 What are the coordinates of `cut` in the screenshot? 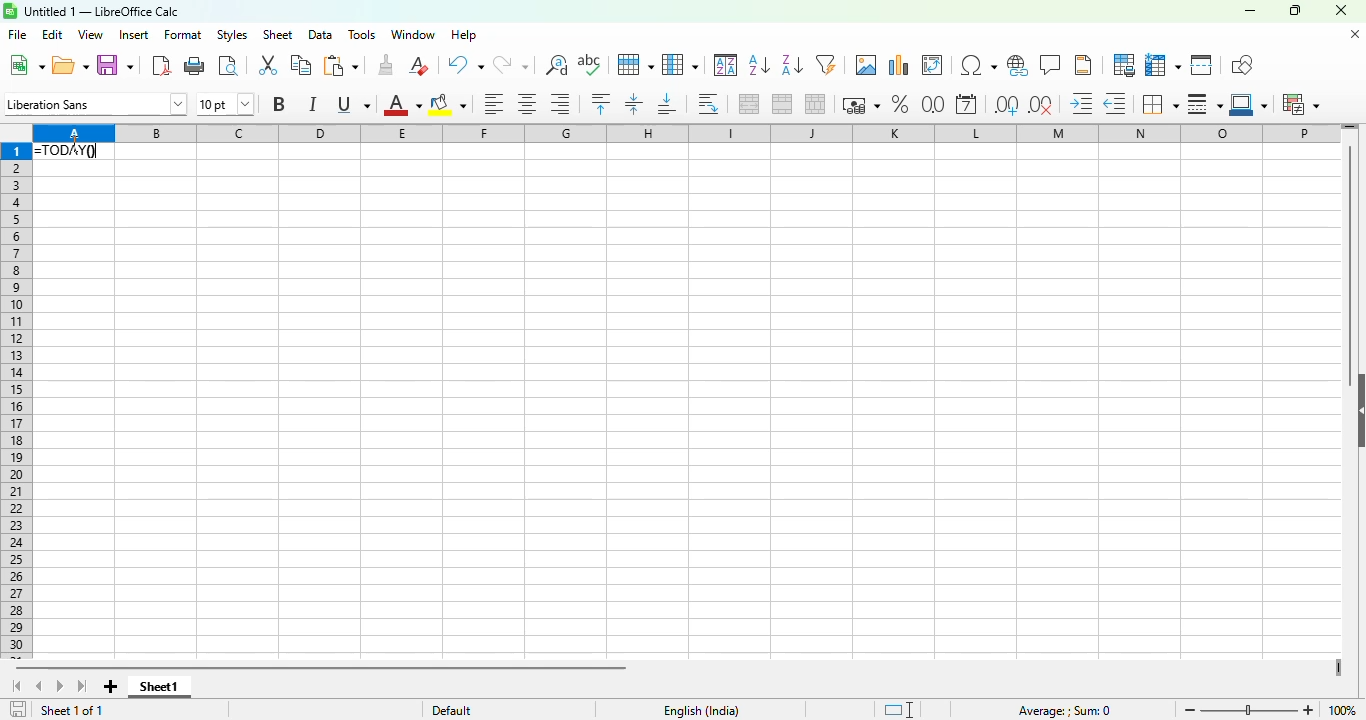 It's located at (269, 65).